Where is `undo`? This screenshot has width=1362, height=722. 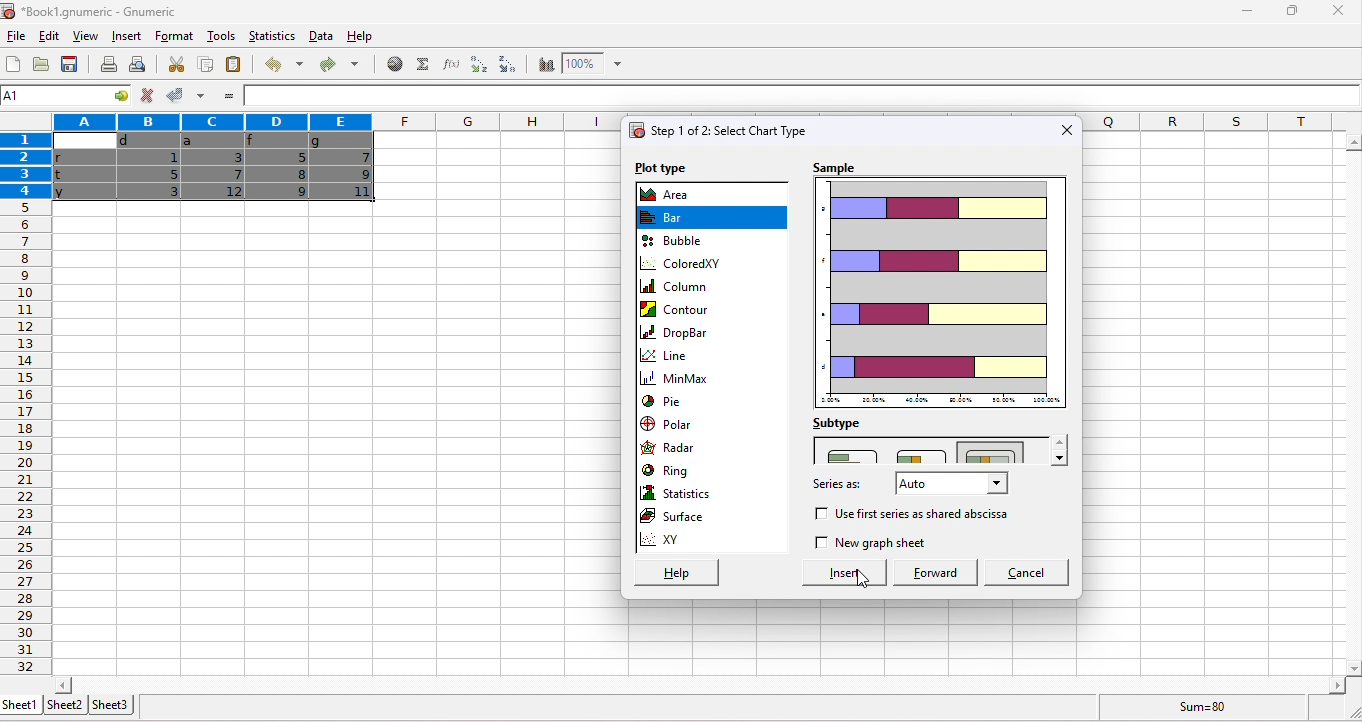
undo is located at coordinates (282, 63).